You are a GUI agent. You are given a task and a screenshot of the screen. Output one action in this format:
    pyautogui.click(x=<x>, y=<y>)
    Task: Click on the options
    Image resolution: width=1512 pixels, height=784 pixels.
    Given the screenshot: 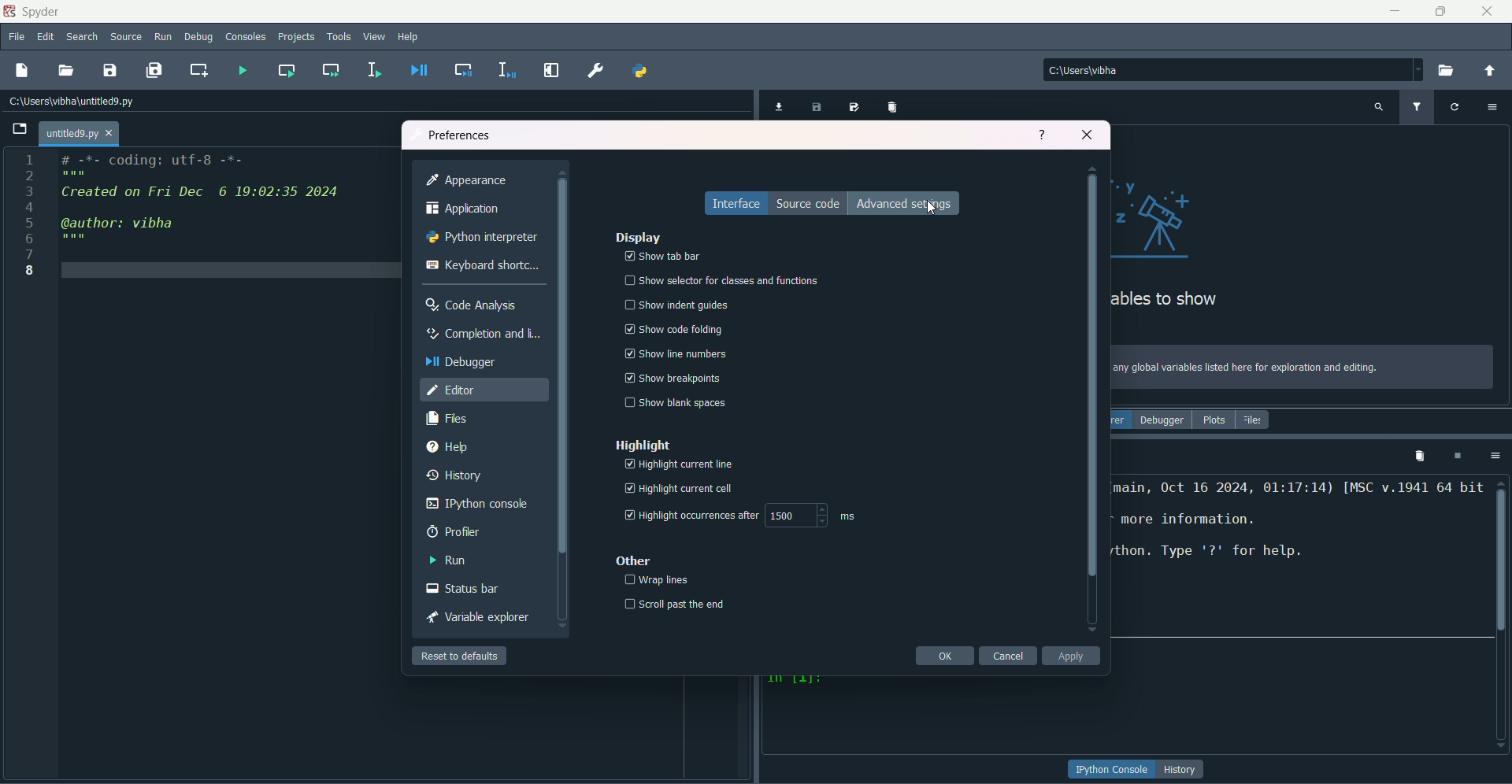 What is the action you would take?
    pyautogui.click(x=1495, y=105)
    